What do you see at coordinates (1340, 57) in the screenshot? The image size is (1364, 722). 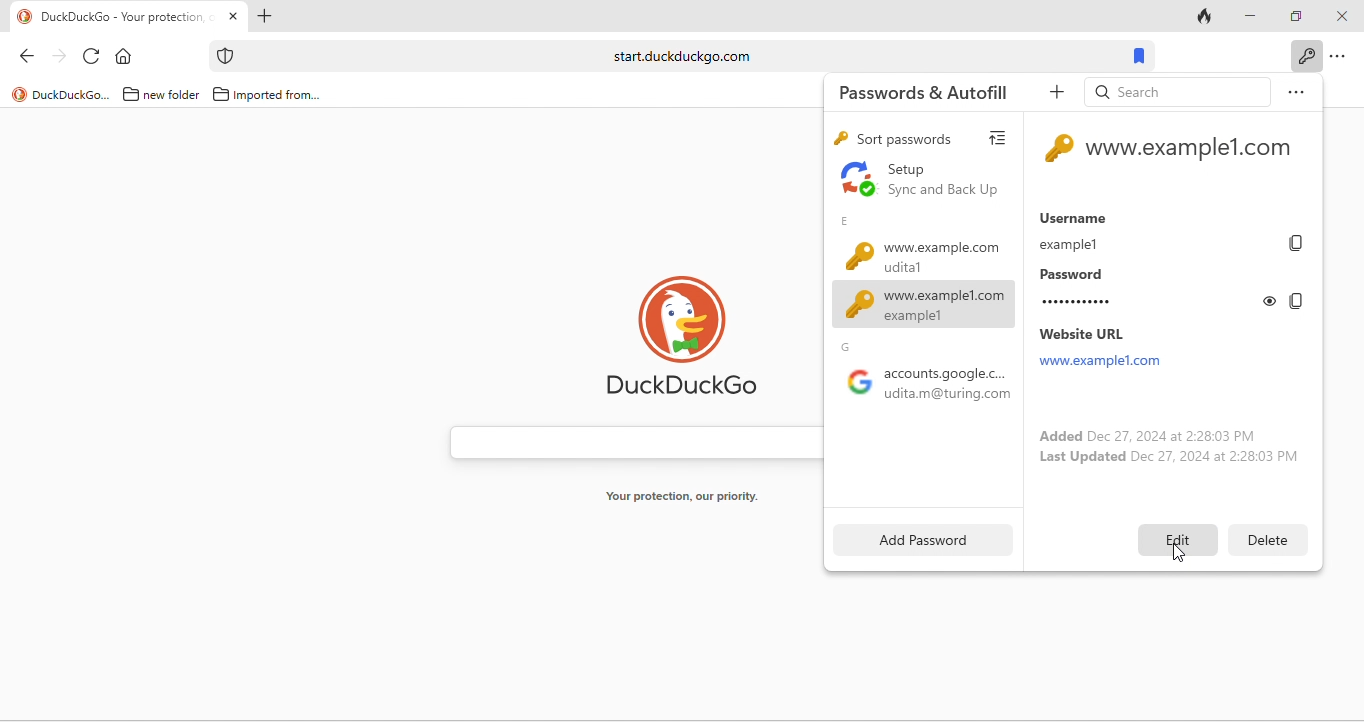 I see `option` at bounding box center [1340, 57].